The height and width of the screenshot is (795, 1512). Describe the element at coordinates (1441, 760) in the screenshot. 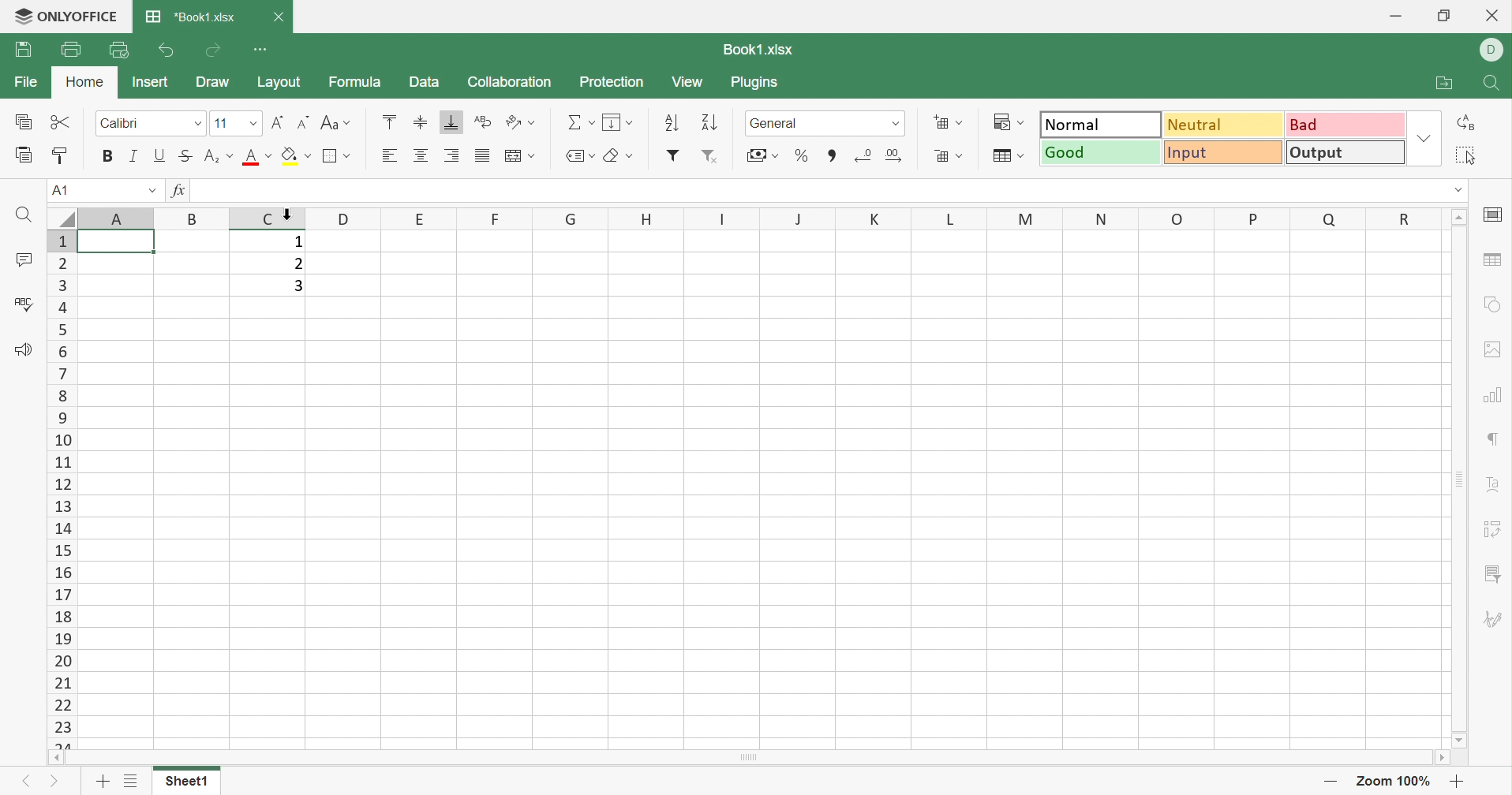

I see `Scroll Right` at that location.